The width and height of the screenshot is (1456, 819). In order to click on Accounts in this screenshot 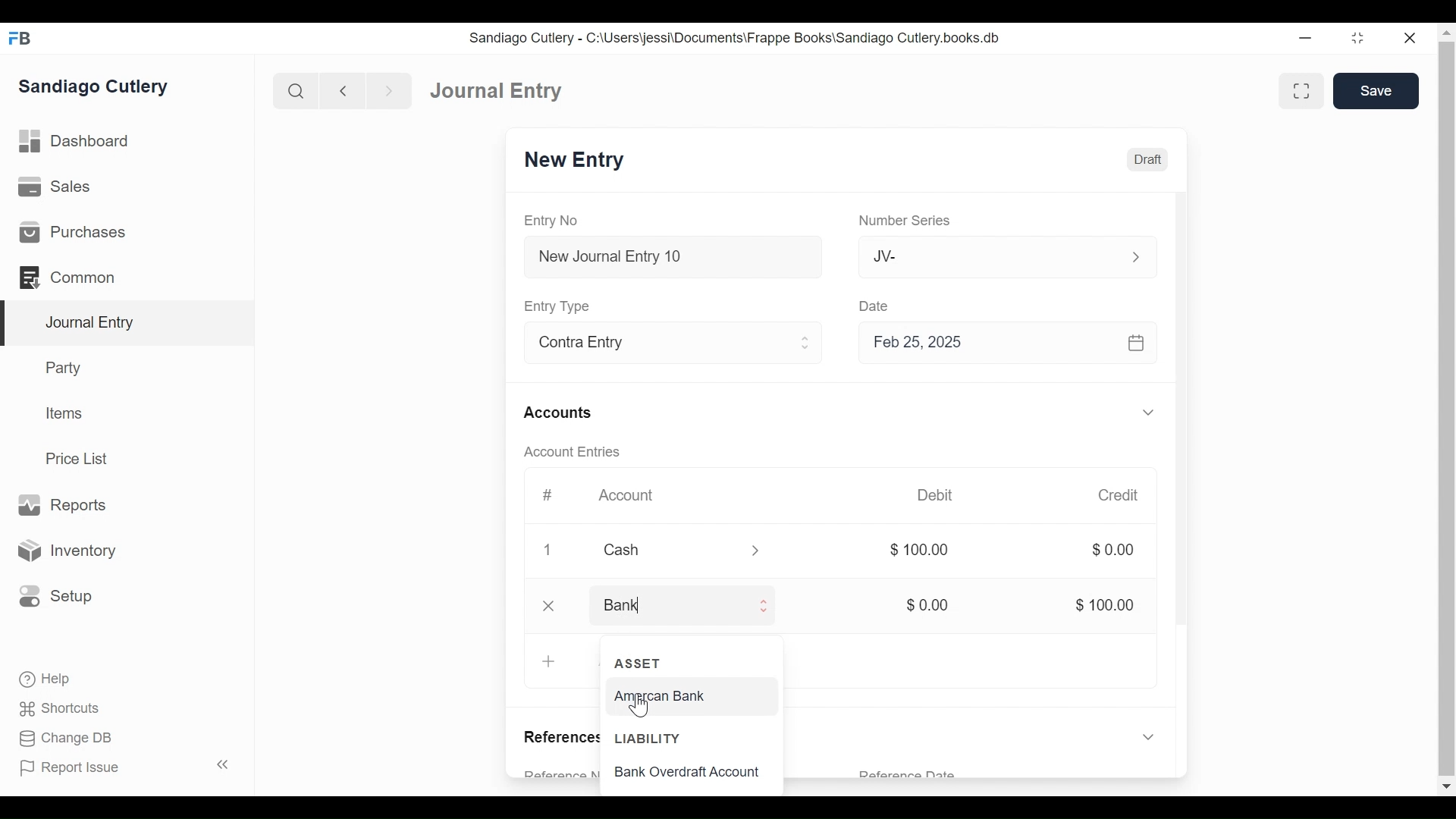, I will do `click(560, 413)`.